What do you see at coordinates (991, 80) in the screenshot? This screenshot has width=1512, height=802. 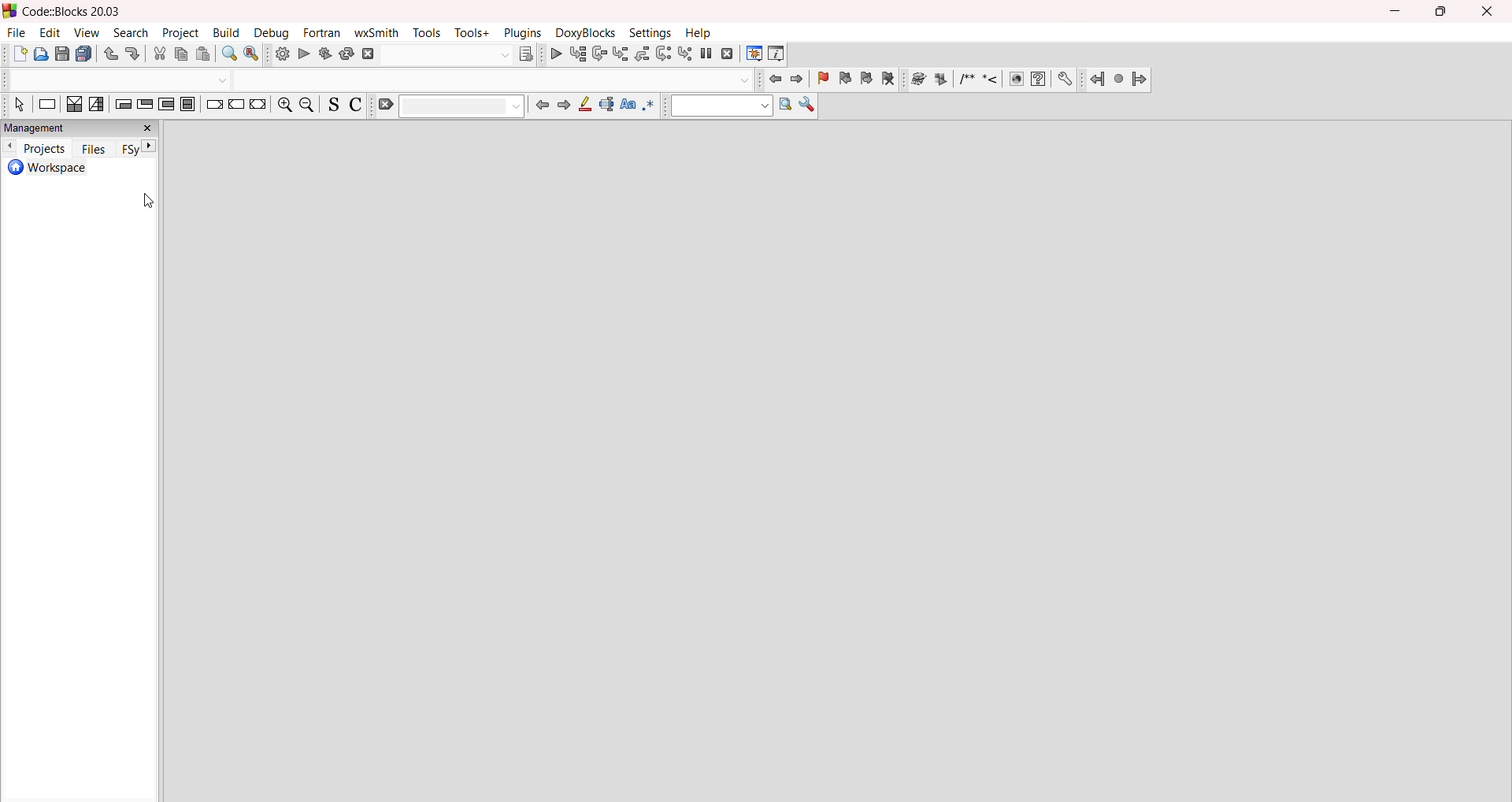 I see `Insert line` at bounding box center [991, 80].